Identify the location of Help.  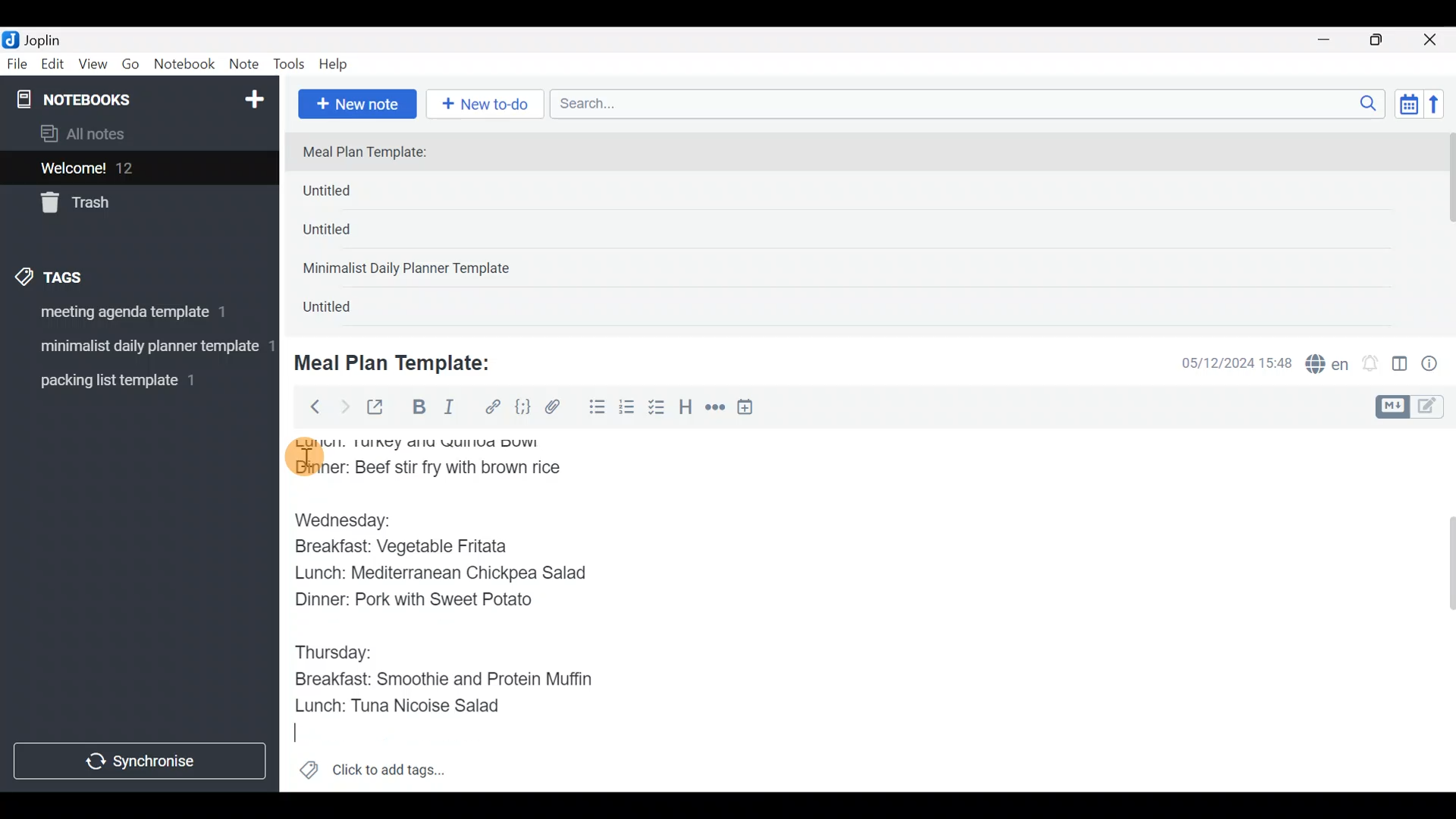
(339, 61).